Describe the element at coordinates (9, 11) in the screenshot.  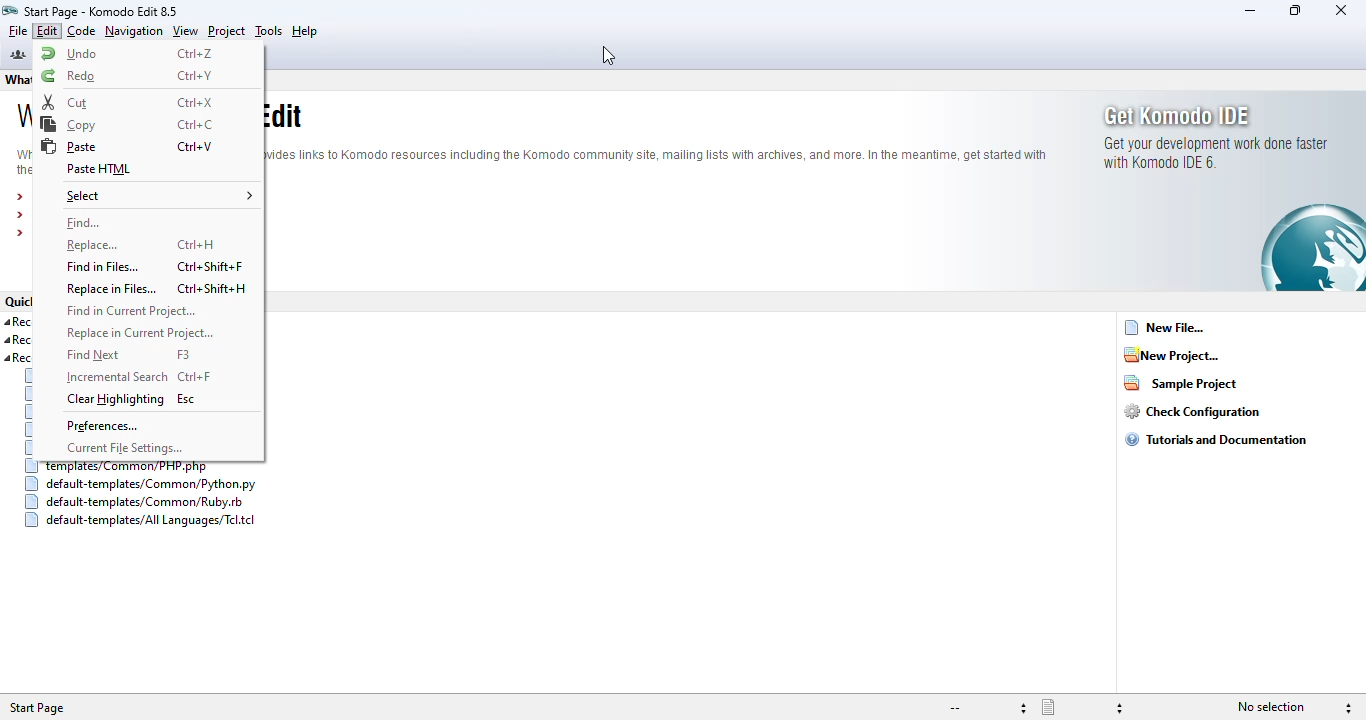
I see `logo` at that location.